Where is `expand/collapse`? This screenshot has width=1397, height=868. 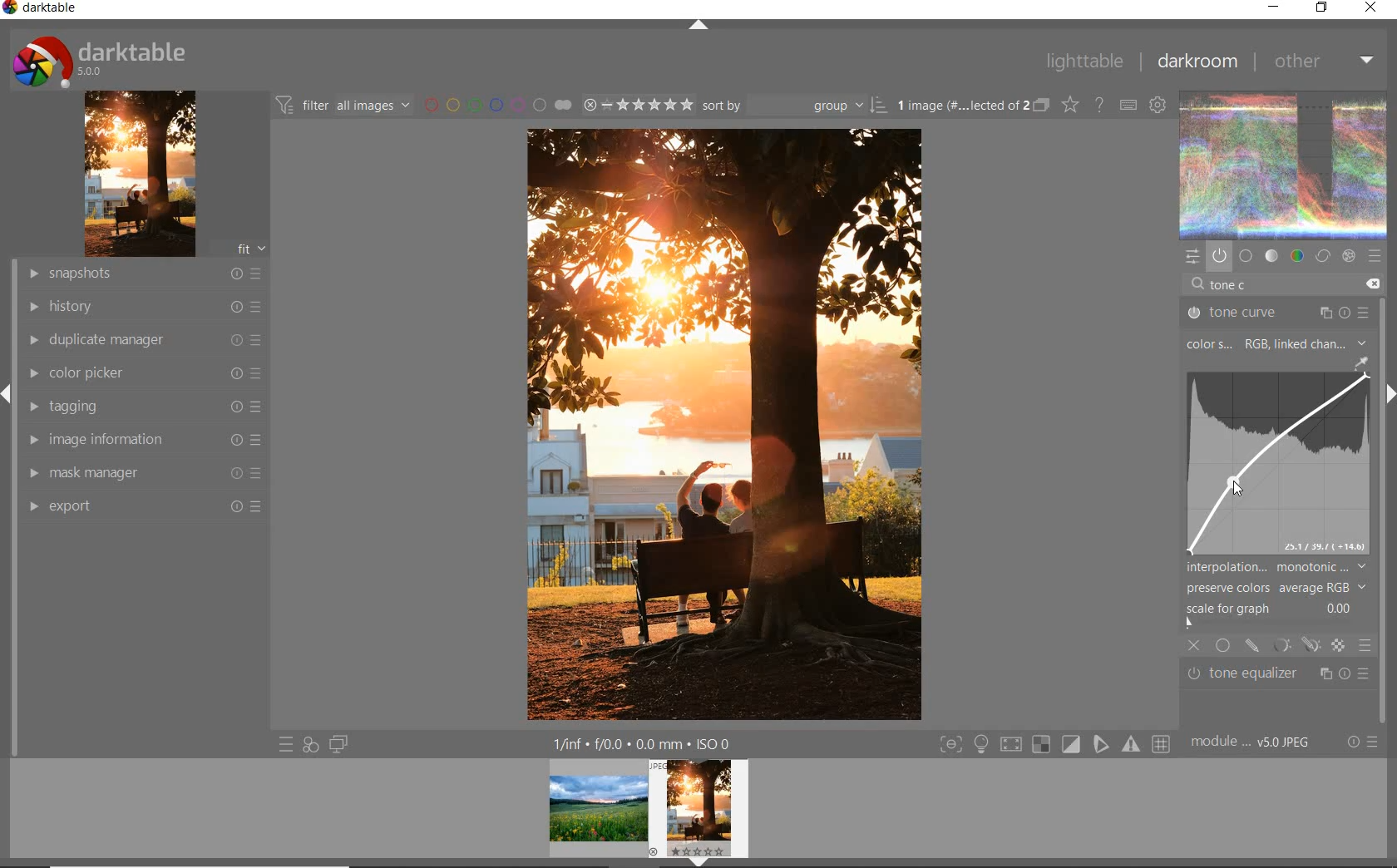
expand/collapse is located at coordinates (700, 28).